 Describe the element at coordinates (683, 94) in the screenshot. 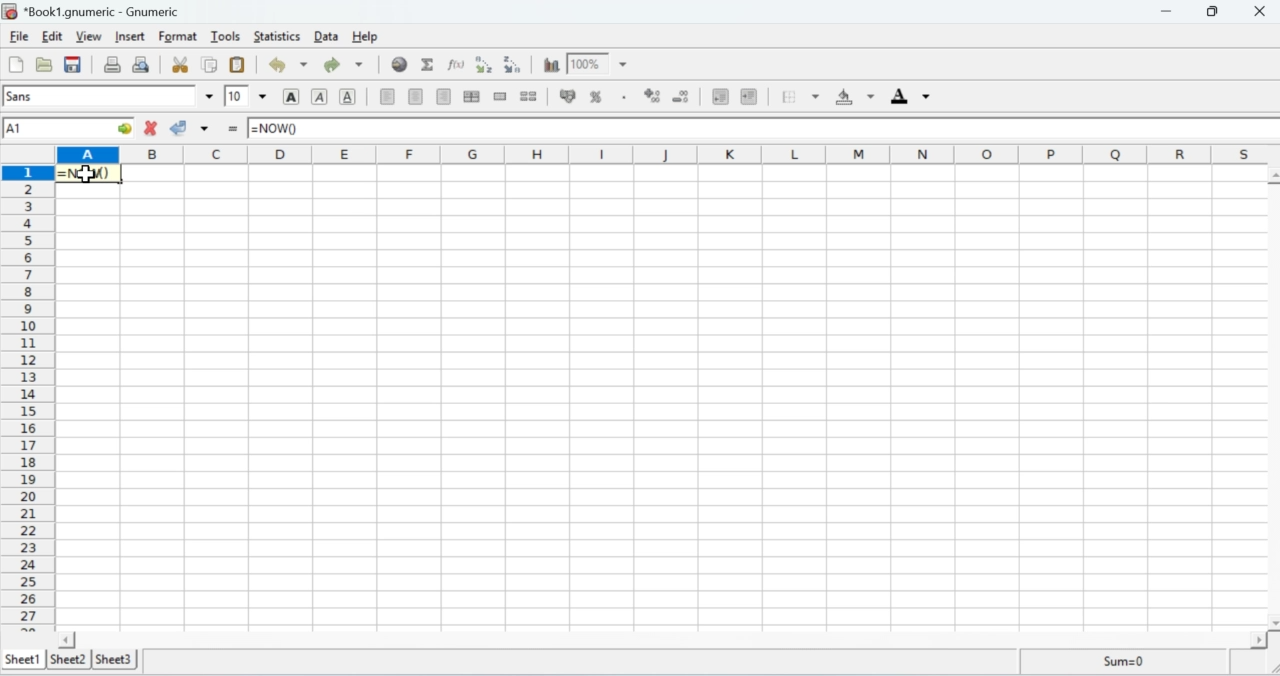

I see `Decrease the number of decimals displayed` at that location.